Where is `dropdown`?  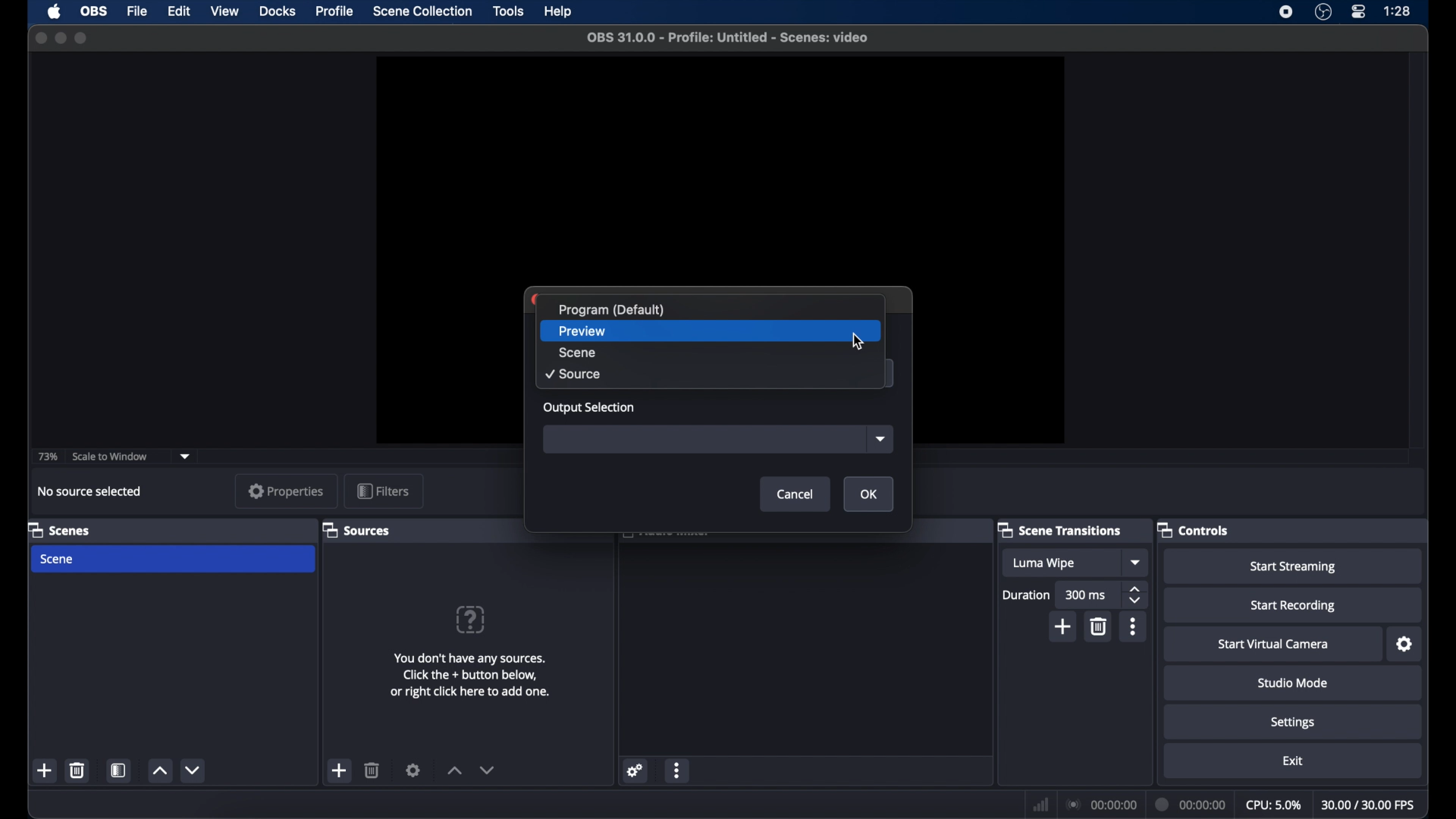
dropdown is located at coordinates (1134, 563).